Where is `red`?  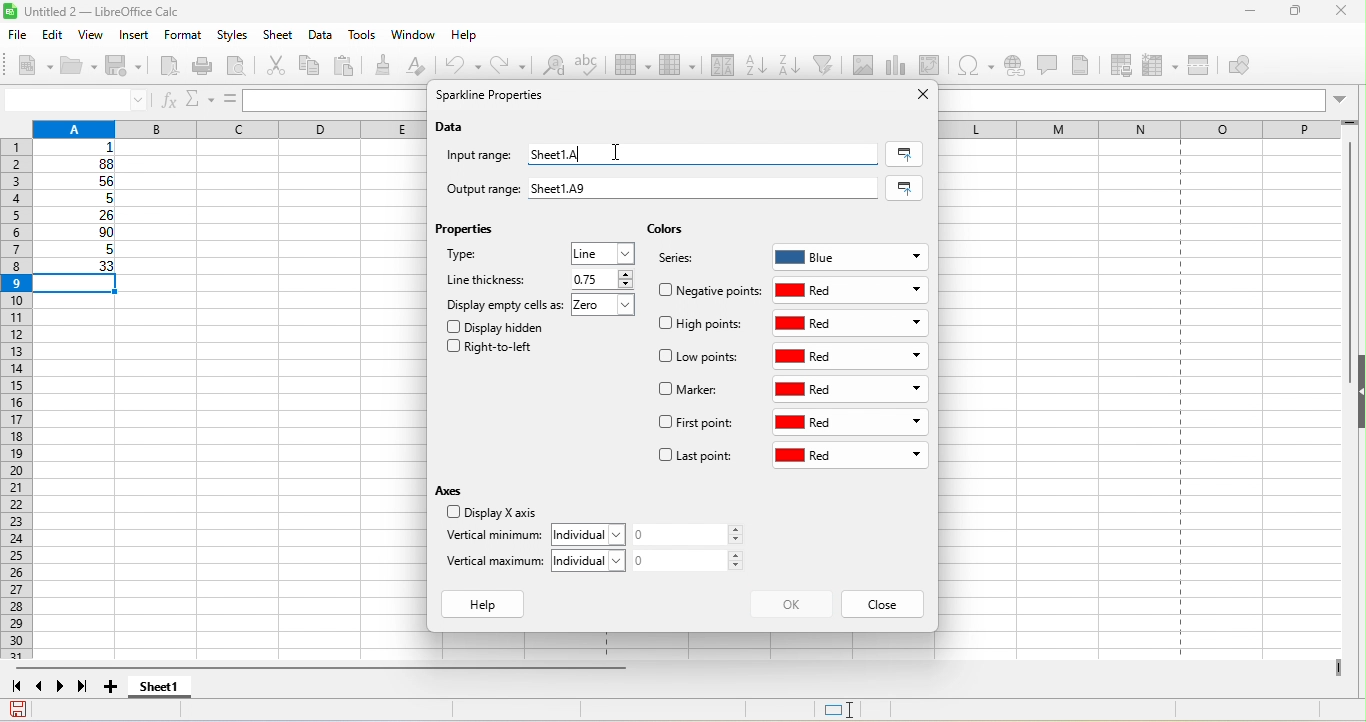 red is located at coordinates (850, 424).